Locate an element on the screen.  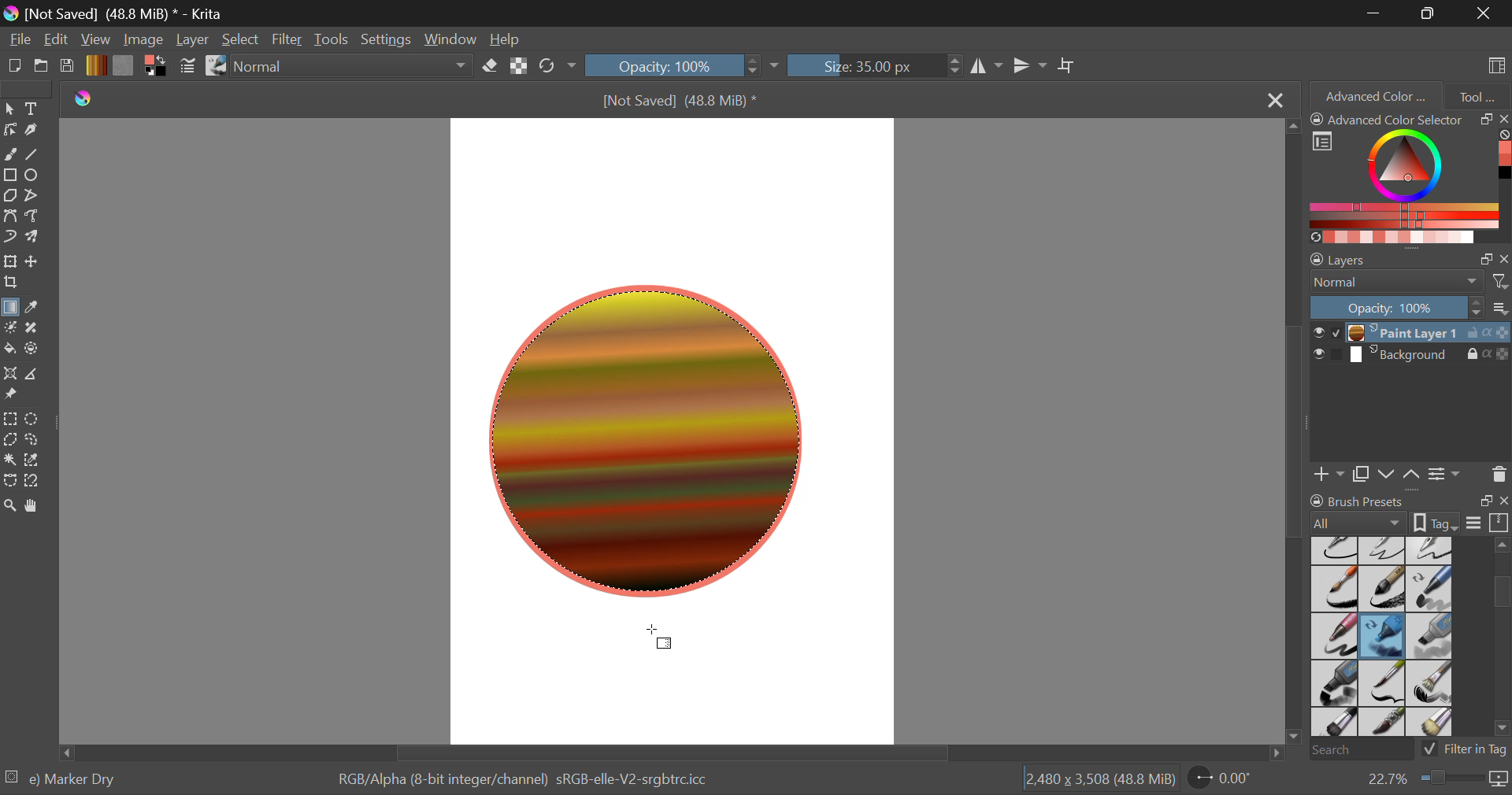
Bezier Curve is located at coordinates (13, 218).